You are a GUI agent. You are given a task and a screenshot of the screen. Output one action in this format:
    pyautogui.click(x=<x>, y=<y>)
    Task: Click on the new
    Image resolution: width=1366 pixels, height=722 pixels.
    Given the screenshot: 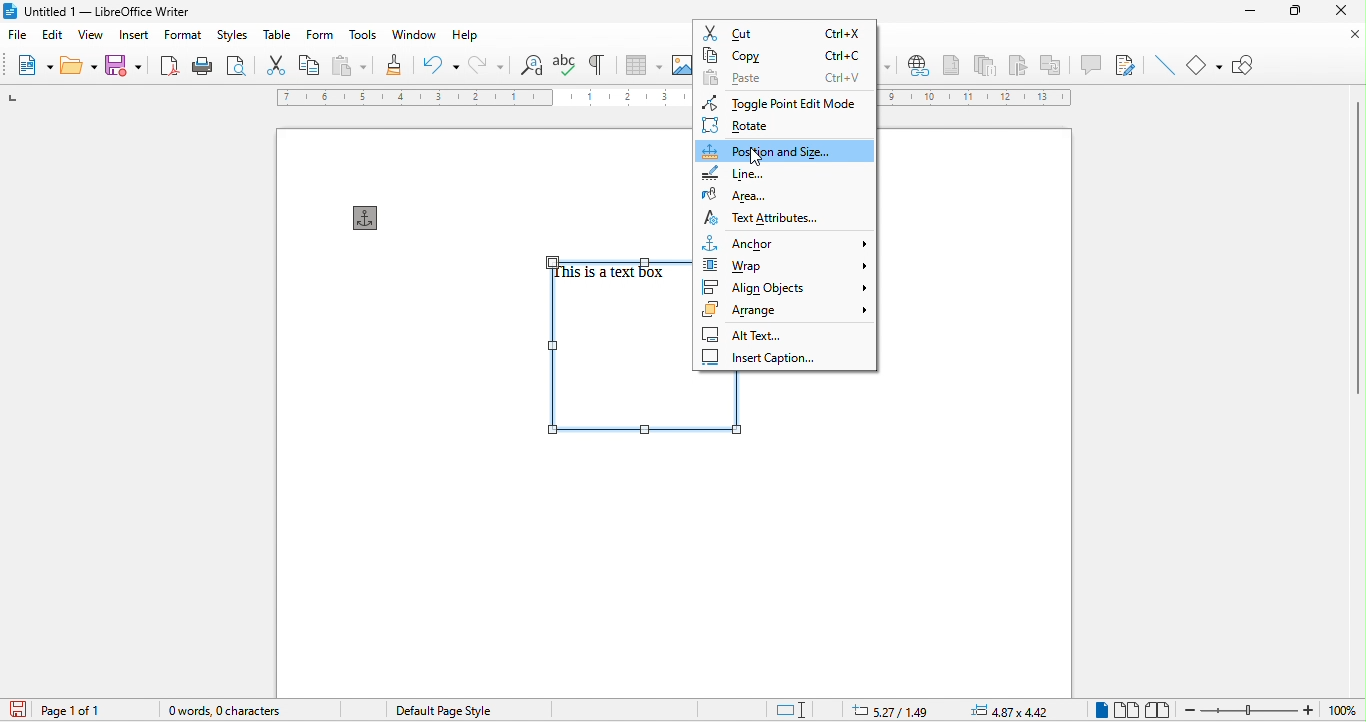 What is the action you would take?
    pyautogui.click(x=34, y=67)
    